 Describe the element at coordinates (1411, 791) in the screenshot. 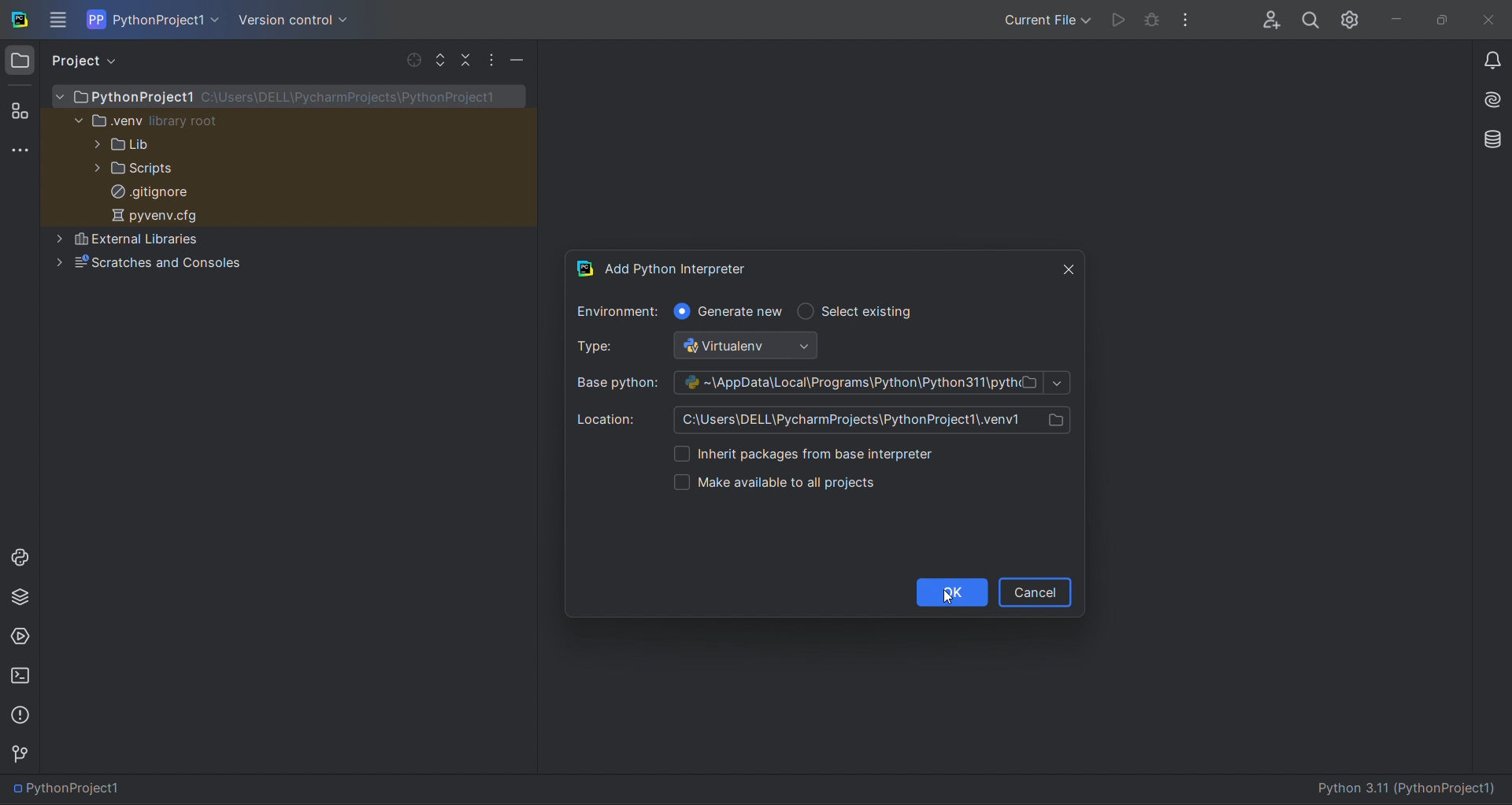

I see `Python 3.11 (PythonProject1)` at that location.